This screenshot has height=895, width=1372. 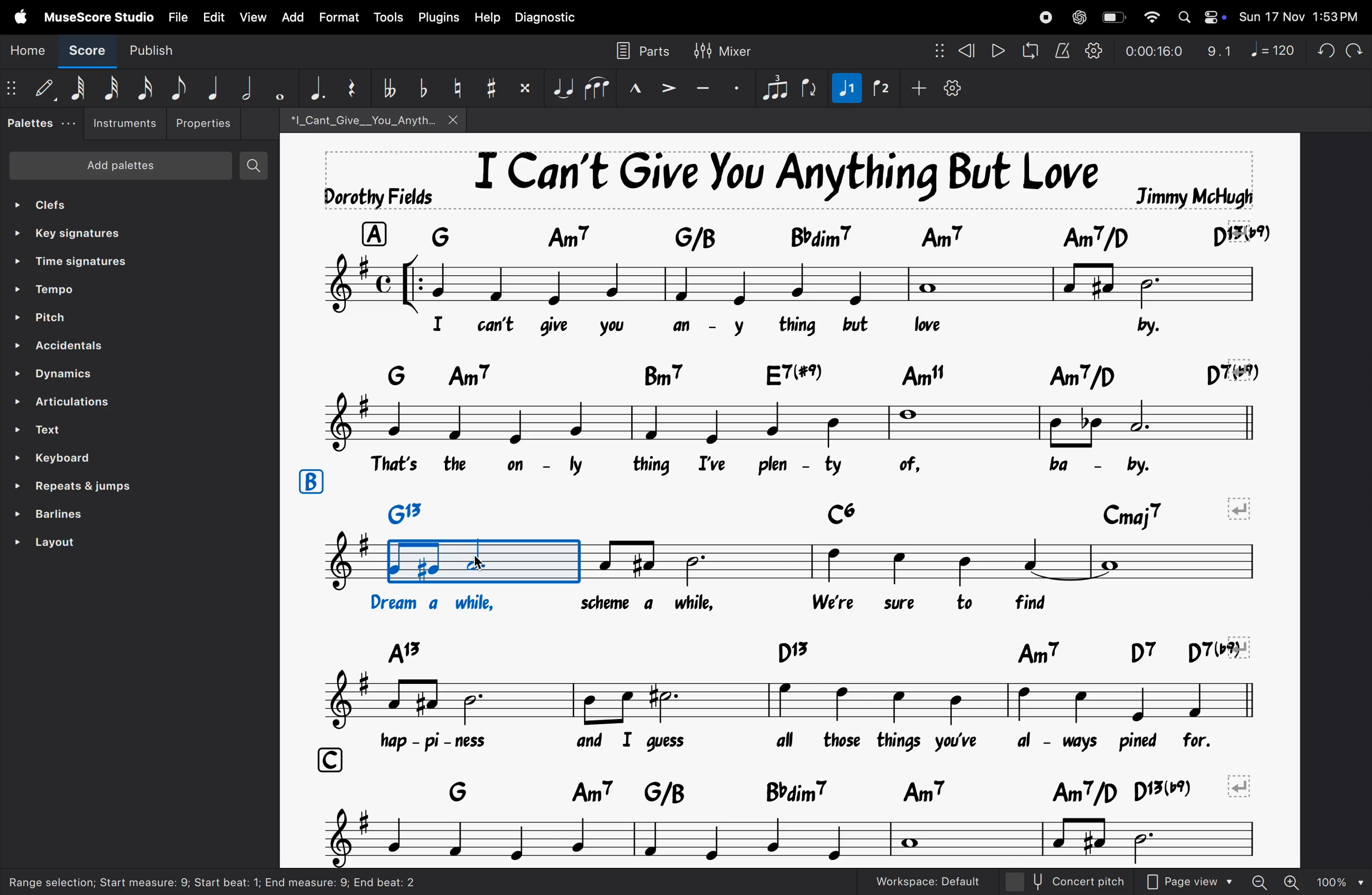 I want to click on keys, so click(x=802, y=510).